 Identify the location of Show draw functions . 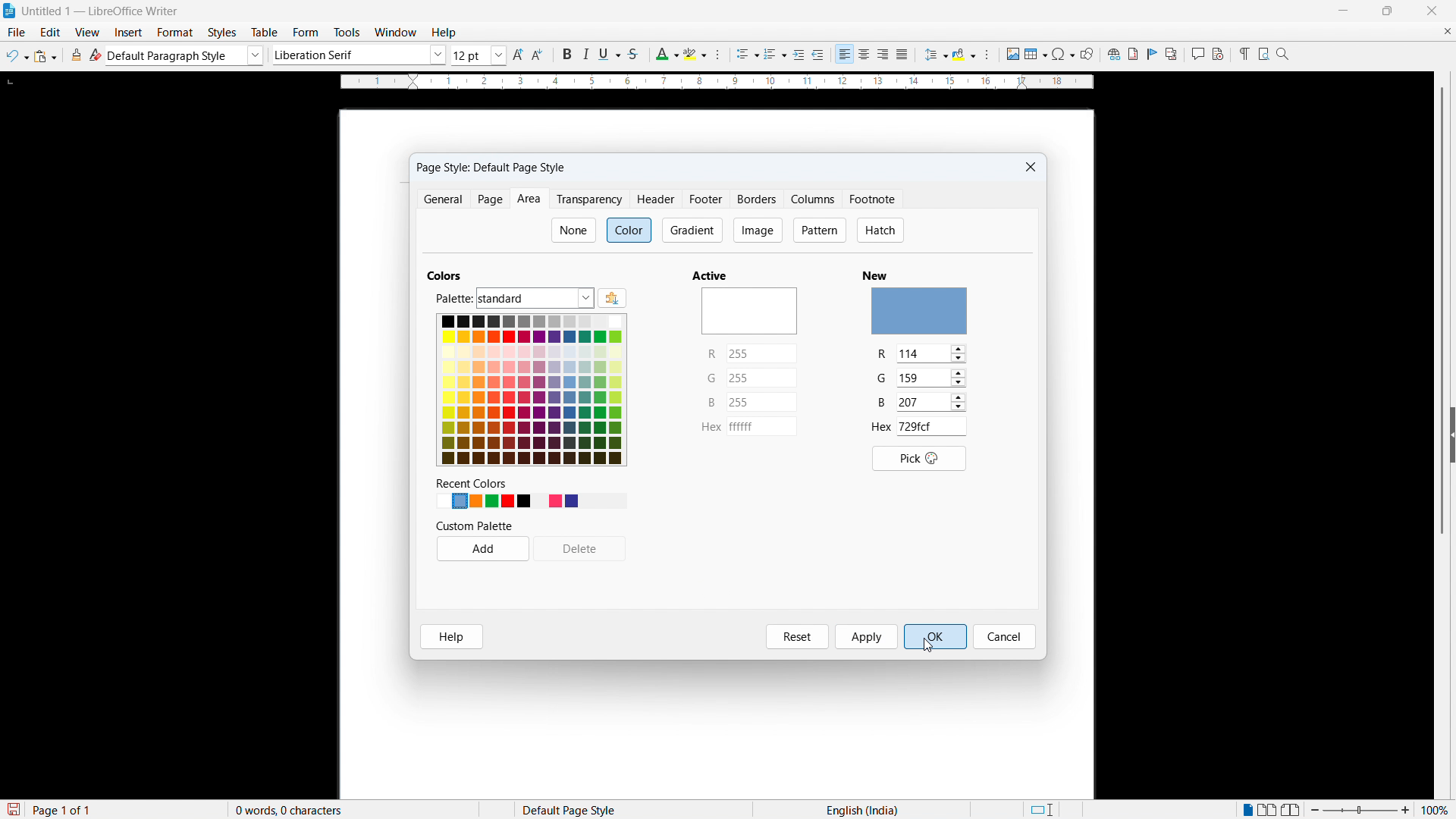
(1087, 54).